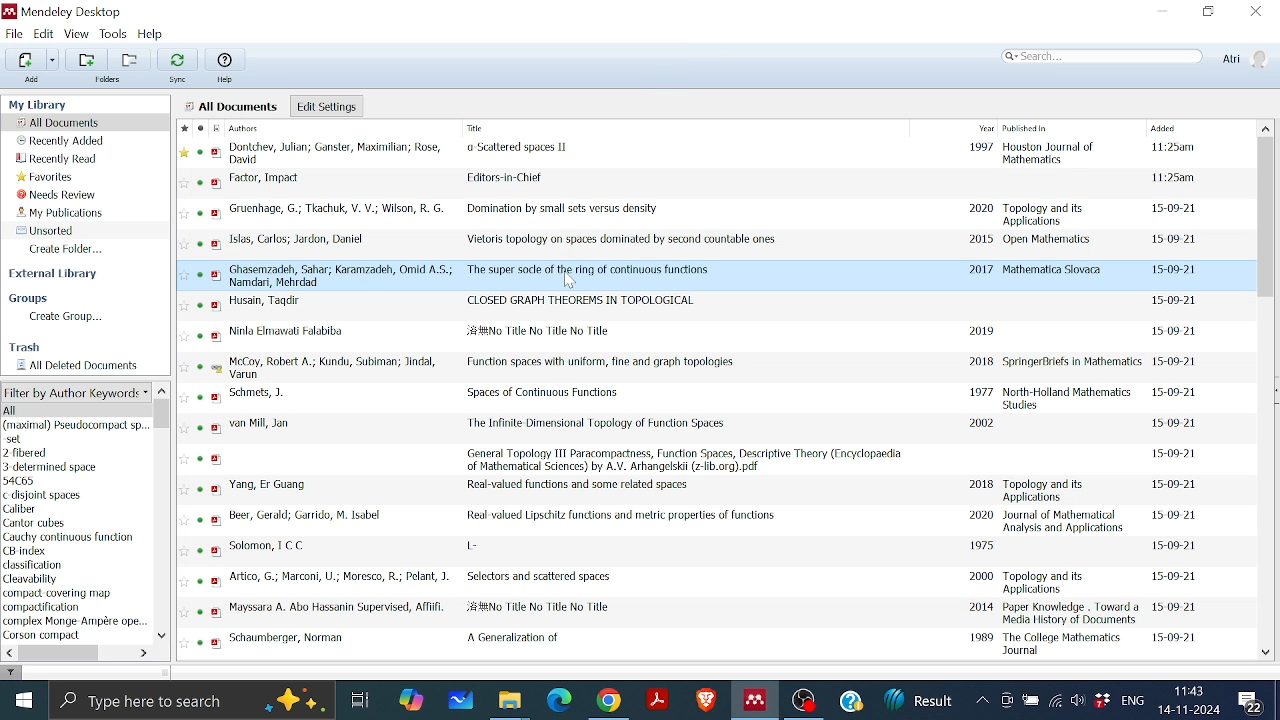 The height and width of the screenshot is (720, 1280). What do you see at coordinates (76, 34) in the screenshot?
I see `View` at bounding box center [76, 34].